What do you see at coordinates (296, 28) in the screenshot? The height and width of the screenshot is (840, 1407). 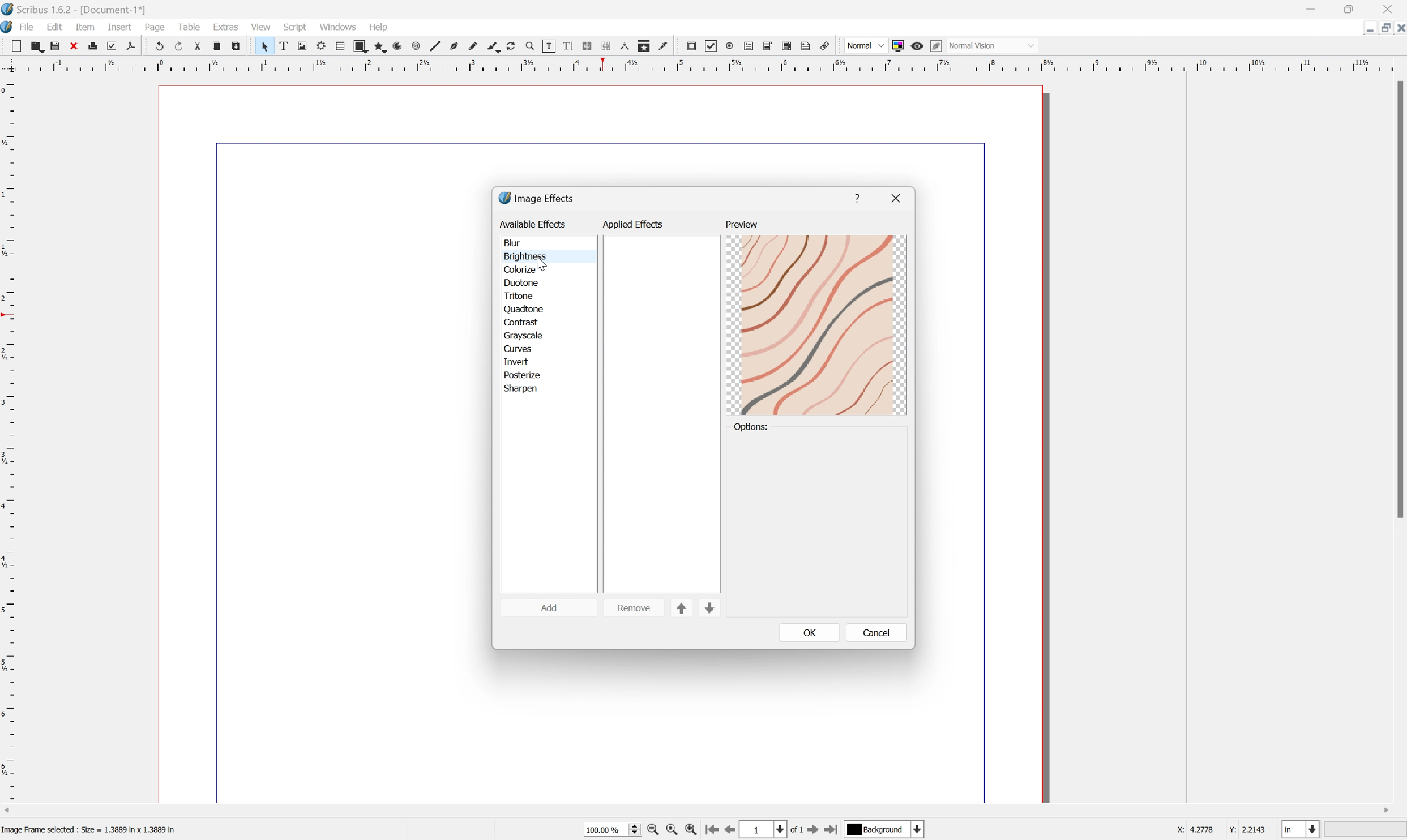 I see `Script` at bounding box center [296, 28].